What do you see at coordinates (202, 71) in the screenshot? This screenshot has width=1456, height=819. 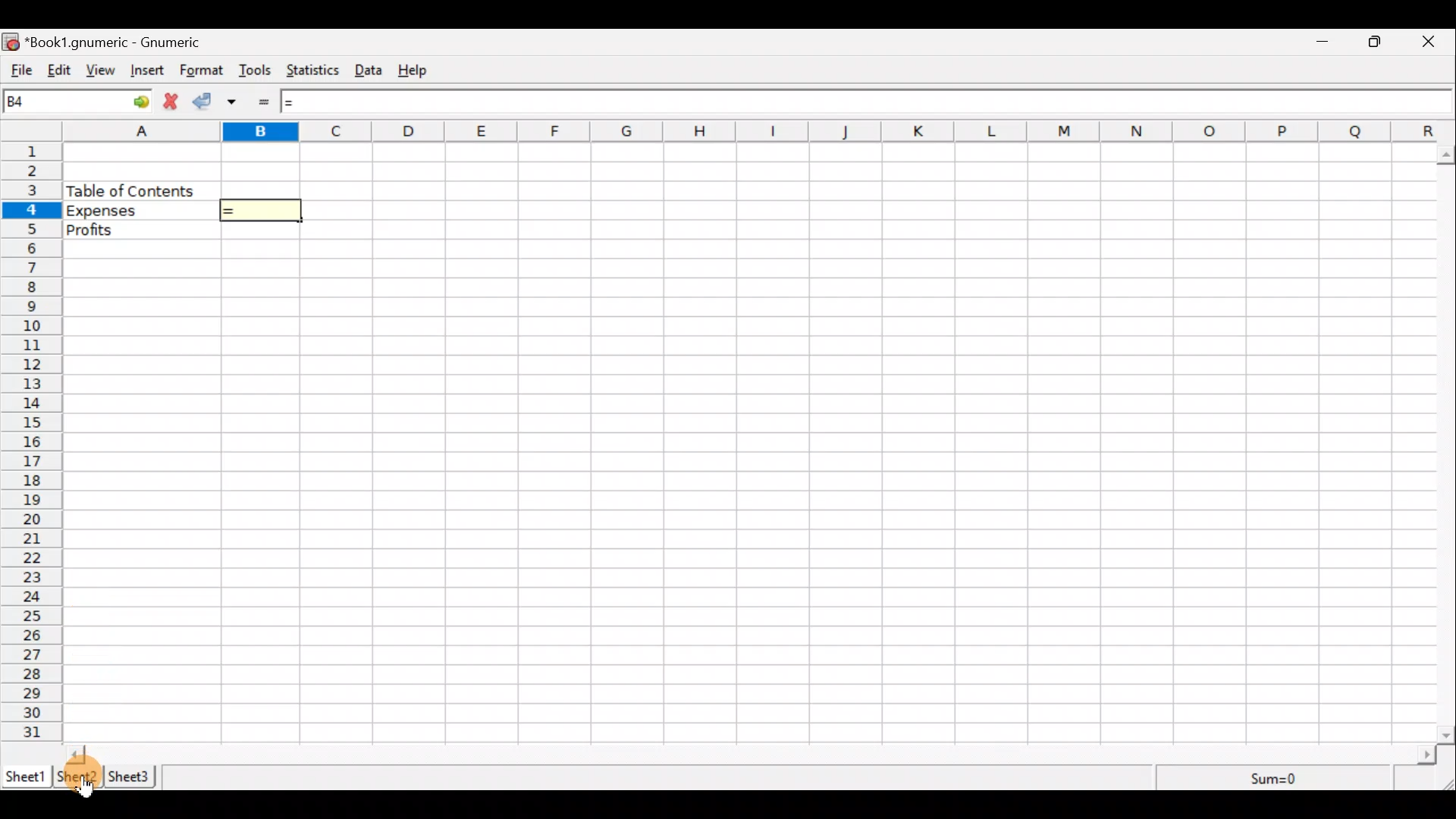 I see `Format` at bounding box center [202, 71].